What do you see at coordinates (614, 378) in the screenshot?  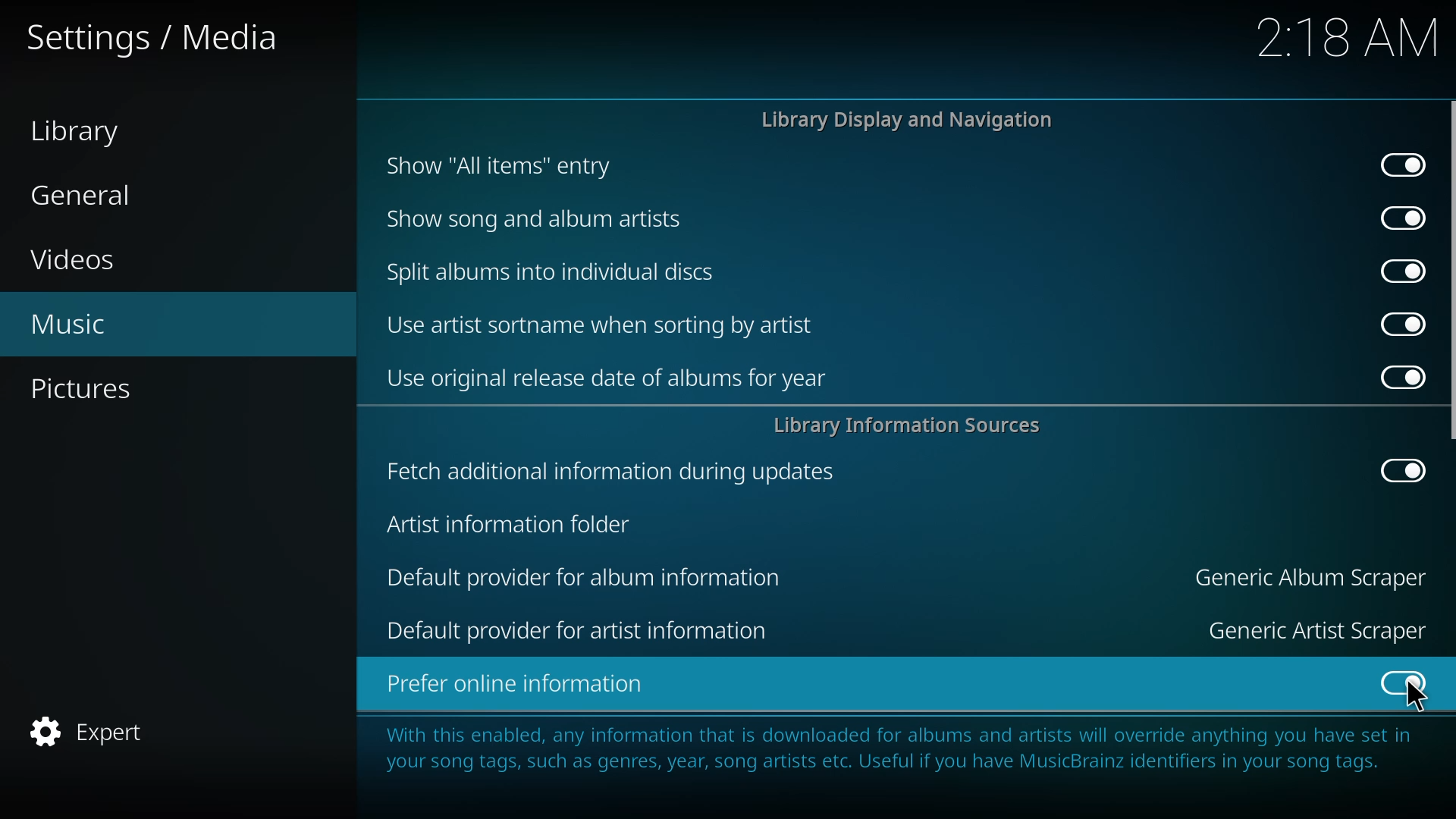 I see `use original release date of albums` at bounding box center [614, 378].